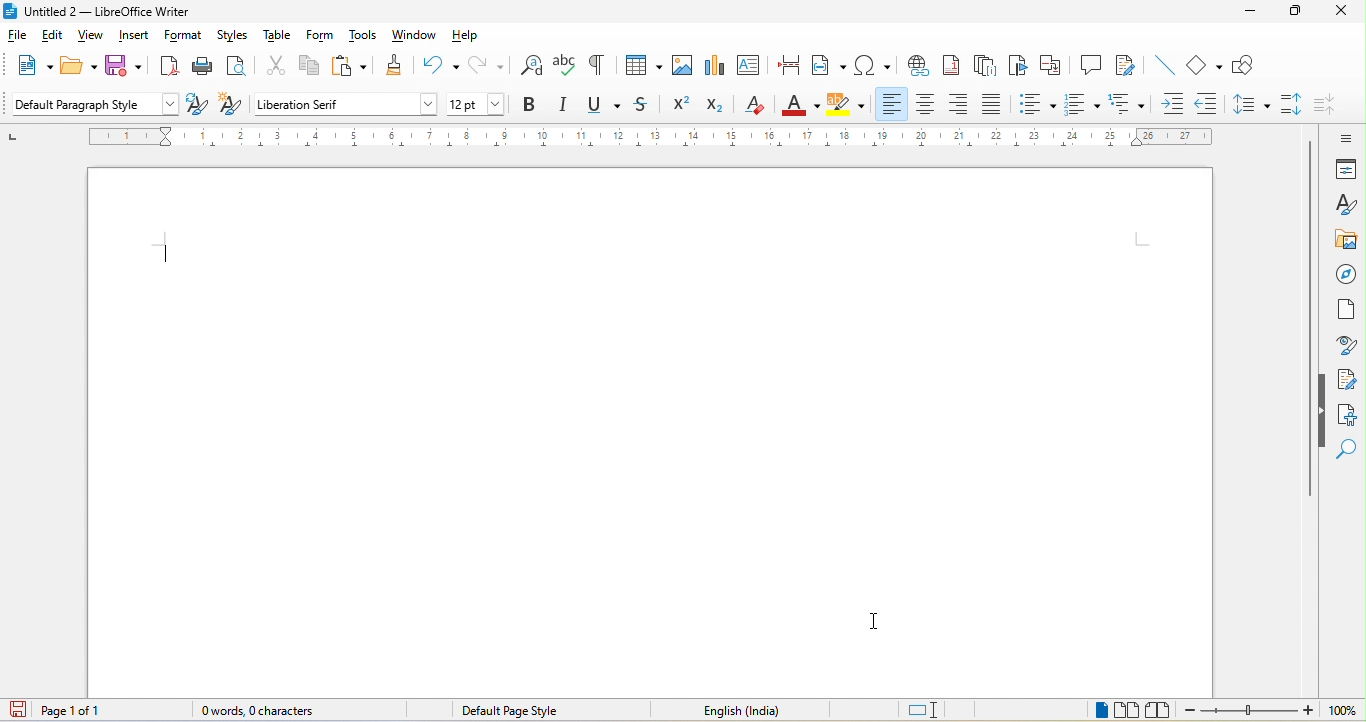 The width and height of the screenshot is (1366, 722). I want to click on minimize, so click(1250, 15).